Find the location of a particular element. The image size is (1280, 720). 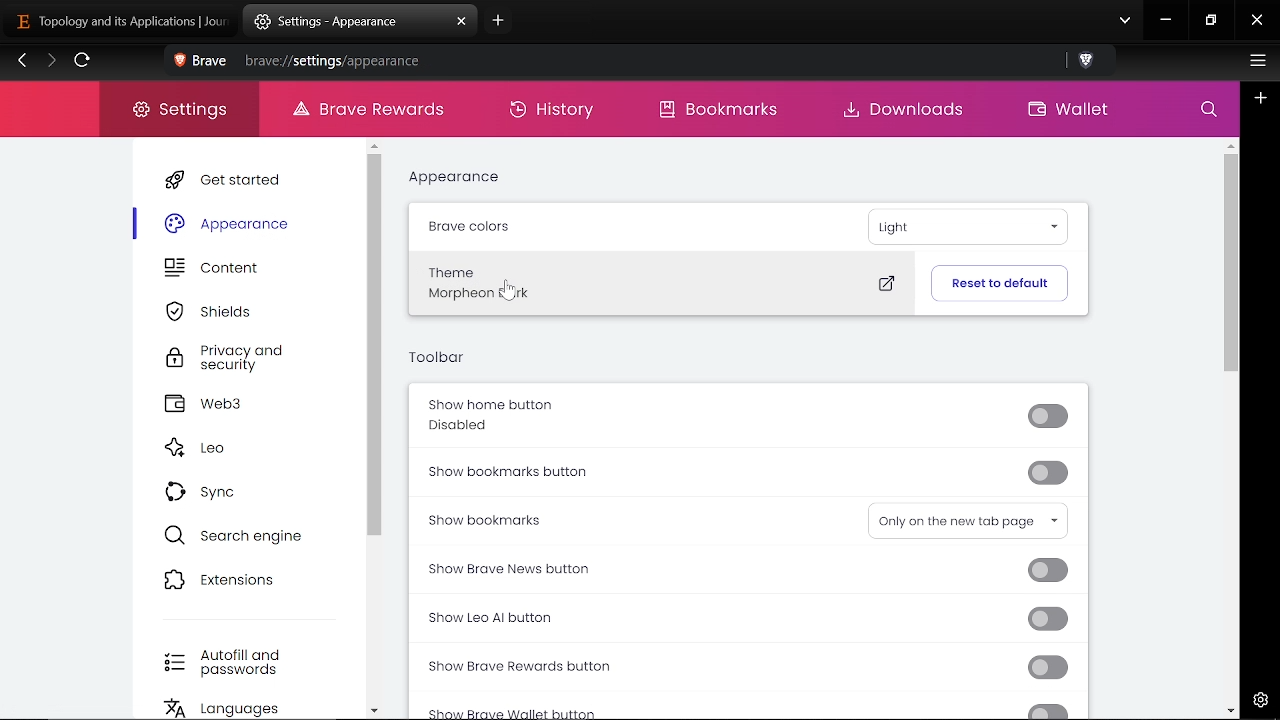

Cite link is located at coordinates (612, 61).